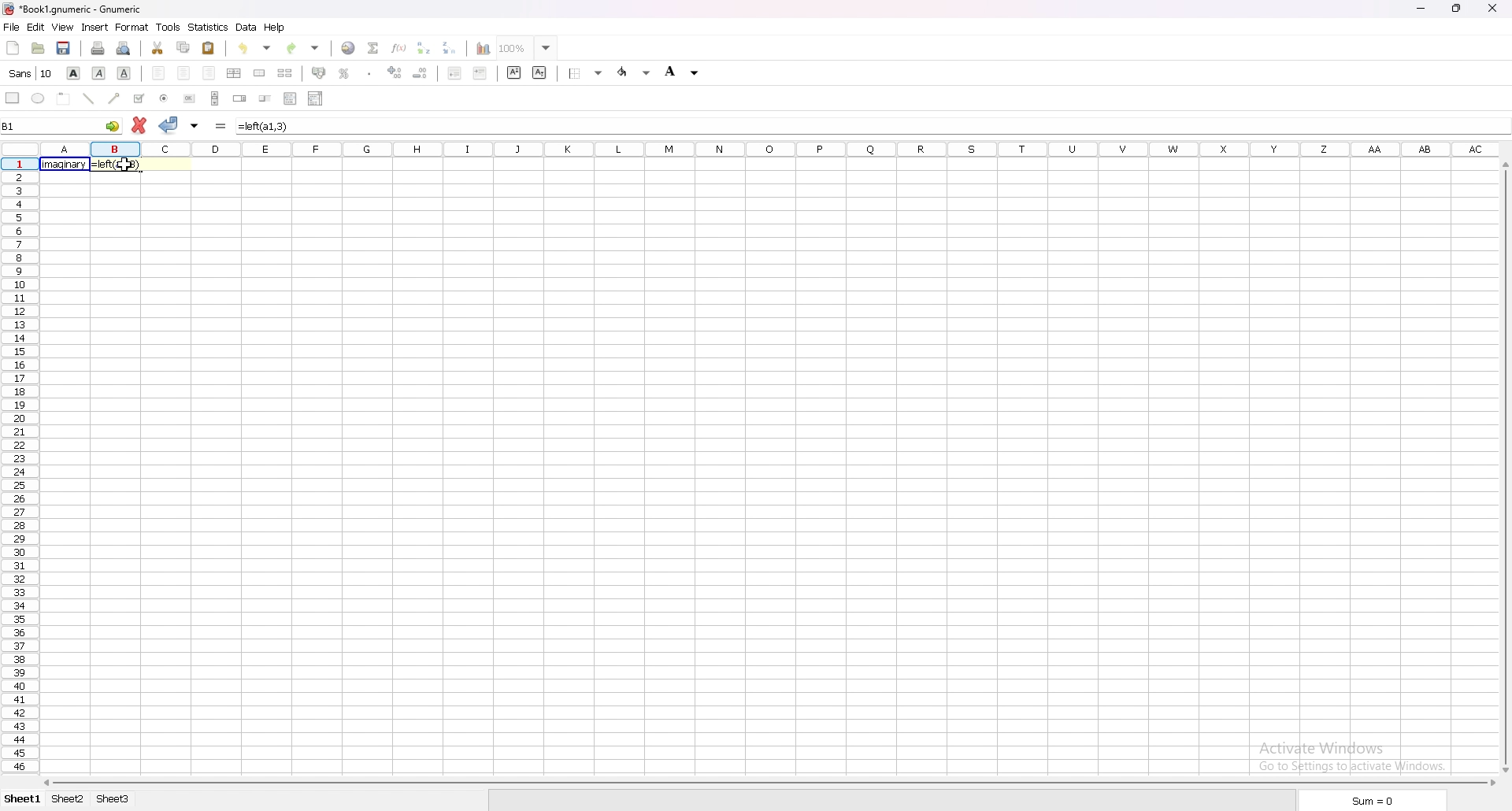 This screenshot has height=811, width=1512. What do you see at coordinates (265, 98) in the screenshot?
I see `slider` at bounding box center [265, 98].